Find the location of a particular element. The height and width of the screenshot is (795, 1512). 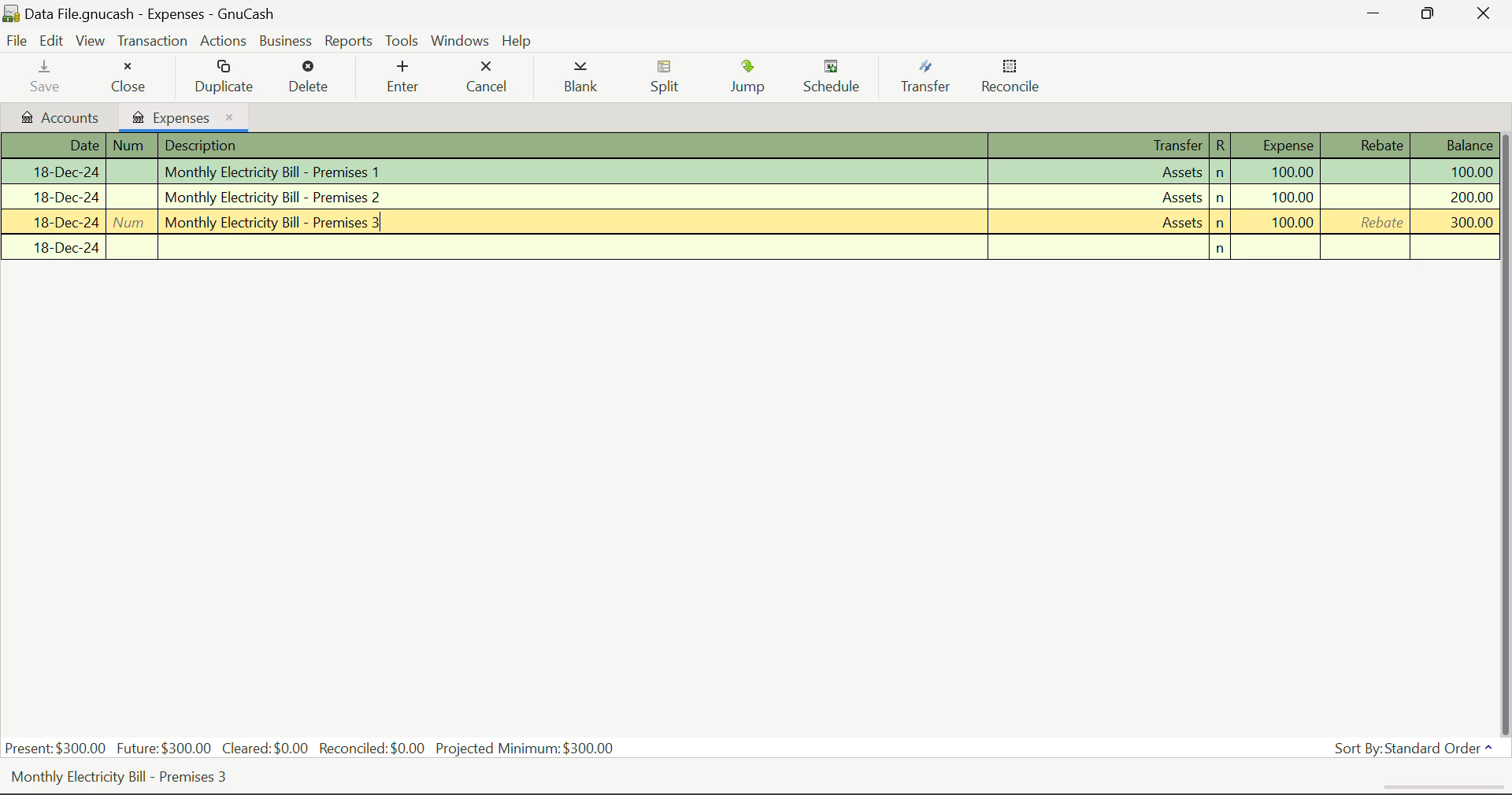

Reports is located at coordinates (348, 42).